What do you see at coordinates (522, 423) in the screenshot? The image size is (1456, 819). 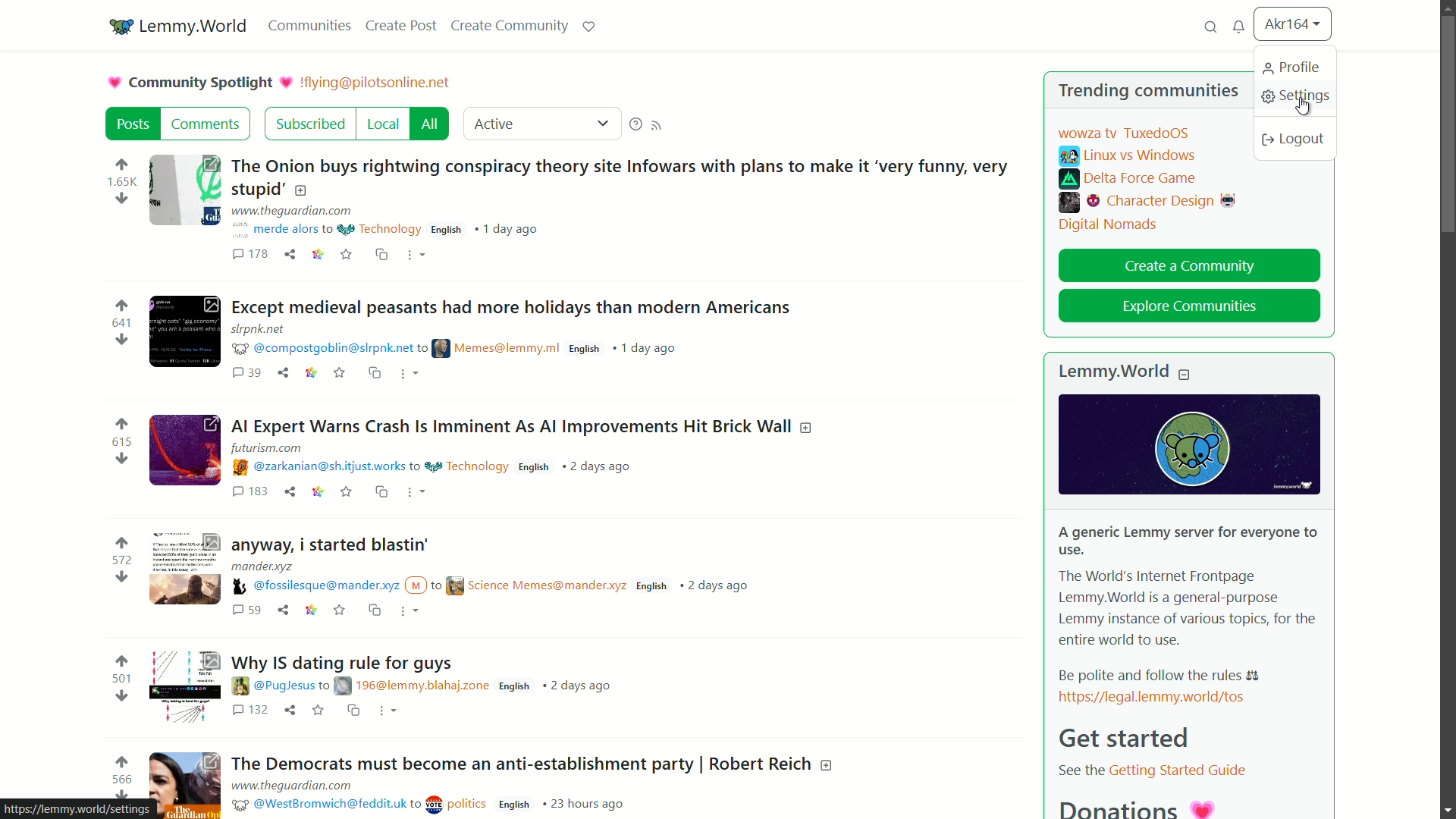 I see `post-3` at bounding box center [522, 423].